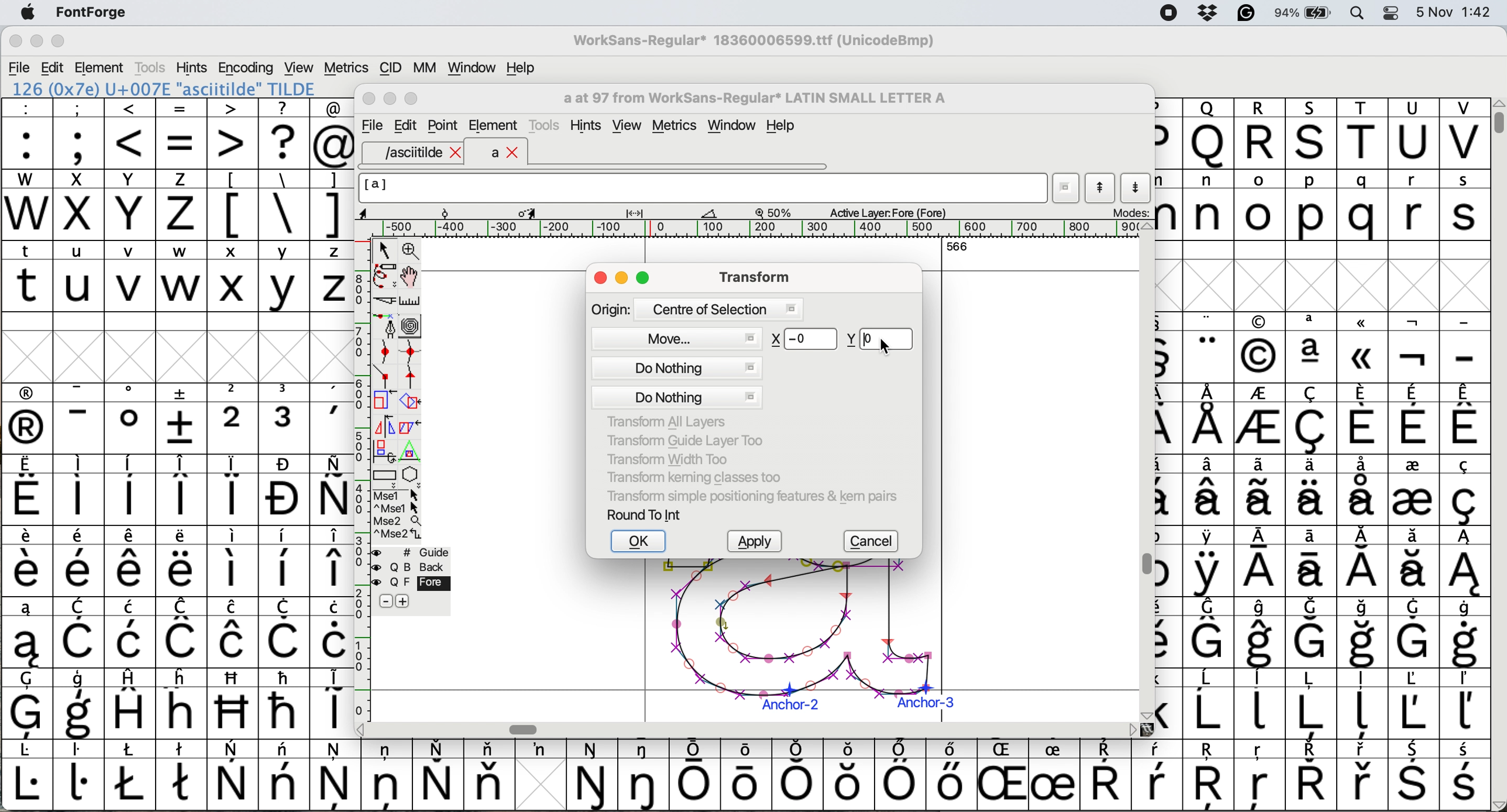  What do you see at coordinates (183, 632) in the screenshot?
I see `symbol` at bounding box center [183, 632].